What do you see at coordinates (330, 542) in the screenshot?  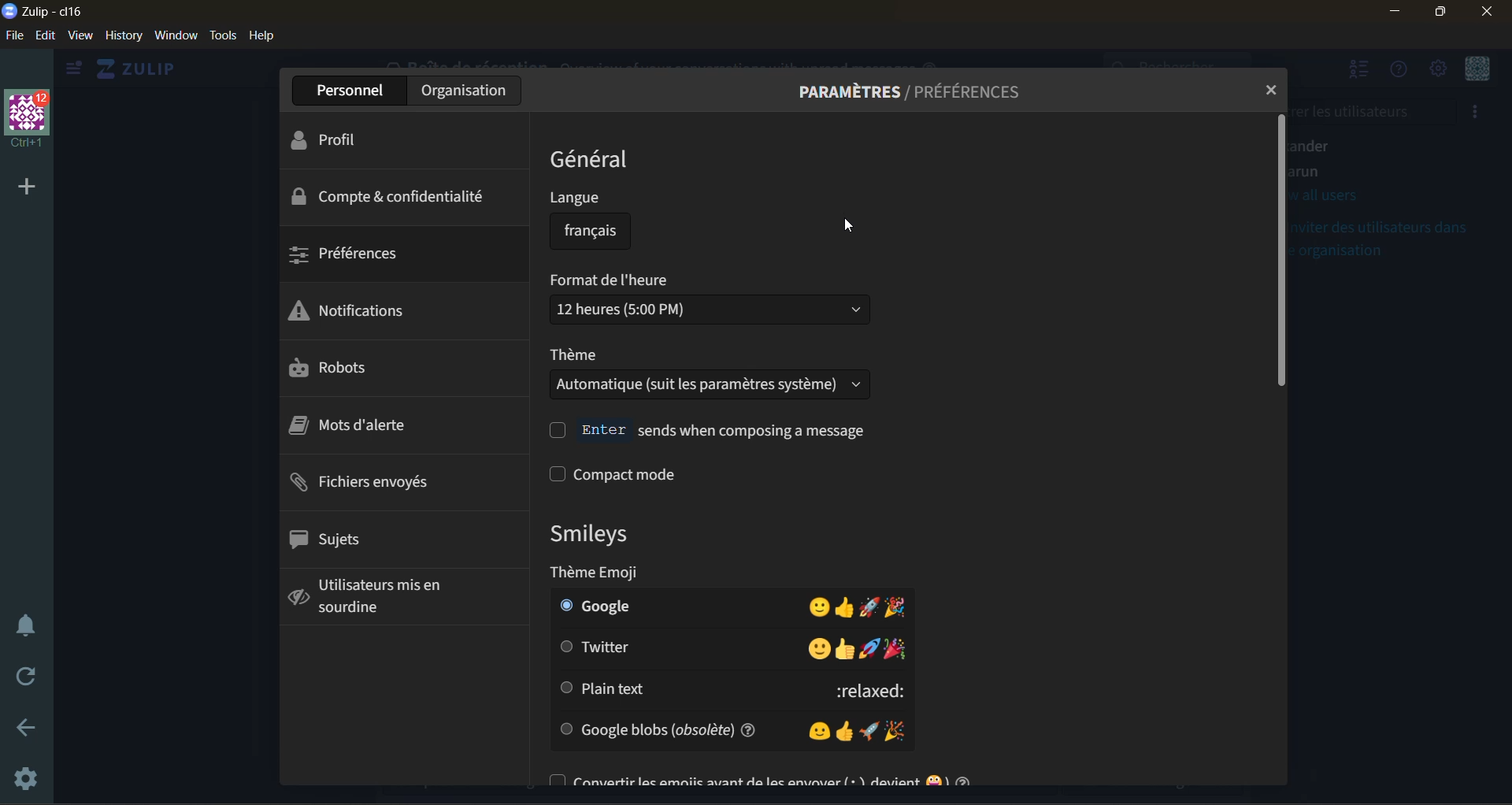 I see `topics` at bounding box center [330, 542].